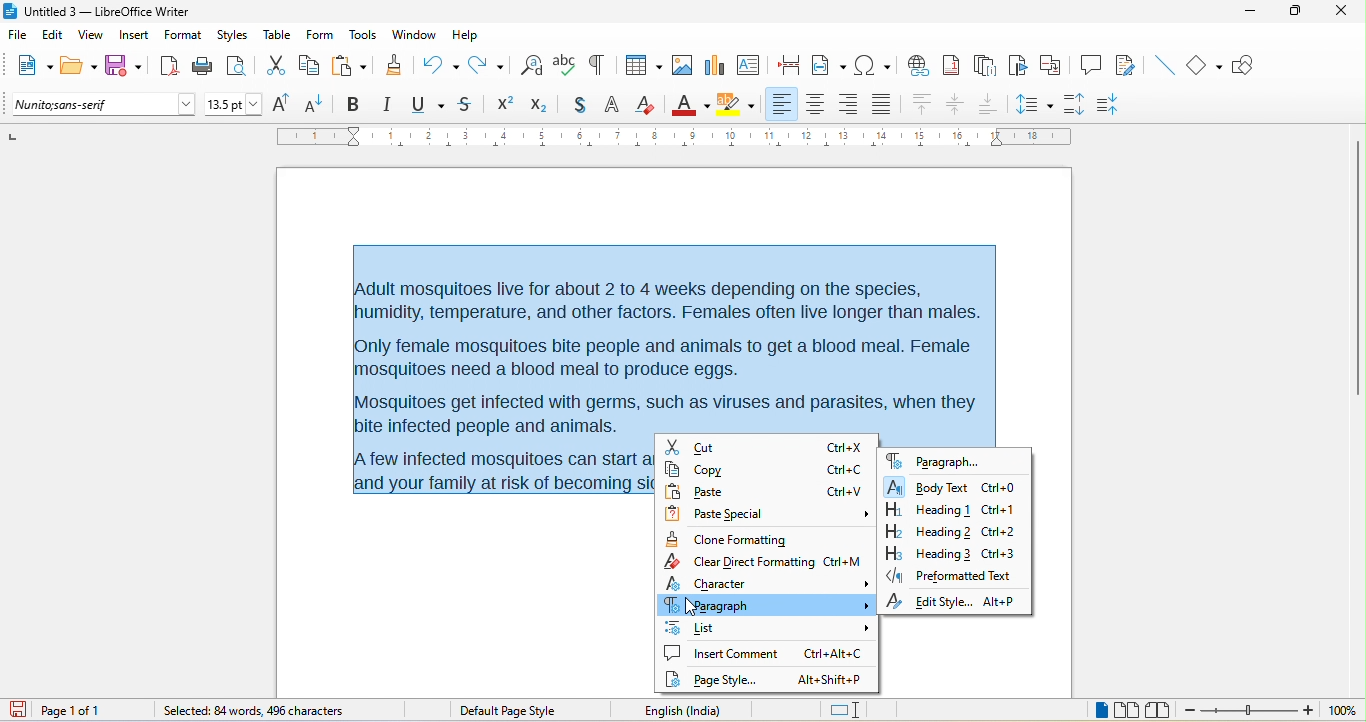  Describe the element at coordinates (1112, 105) in the screenshot. I see `decrease paragraph spacing` at that location.